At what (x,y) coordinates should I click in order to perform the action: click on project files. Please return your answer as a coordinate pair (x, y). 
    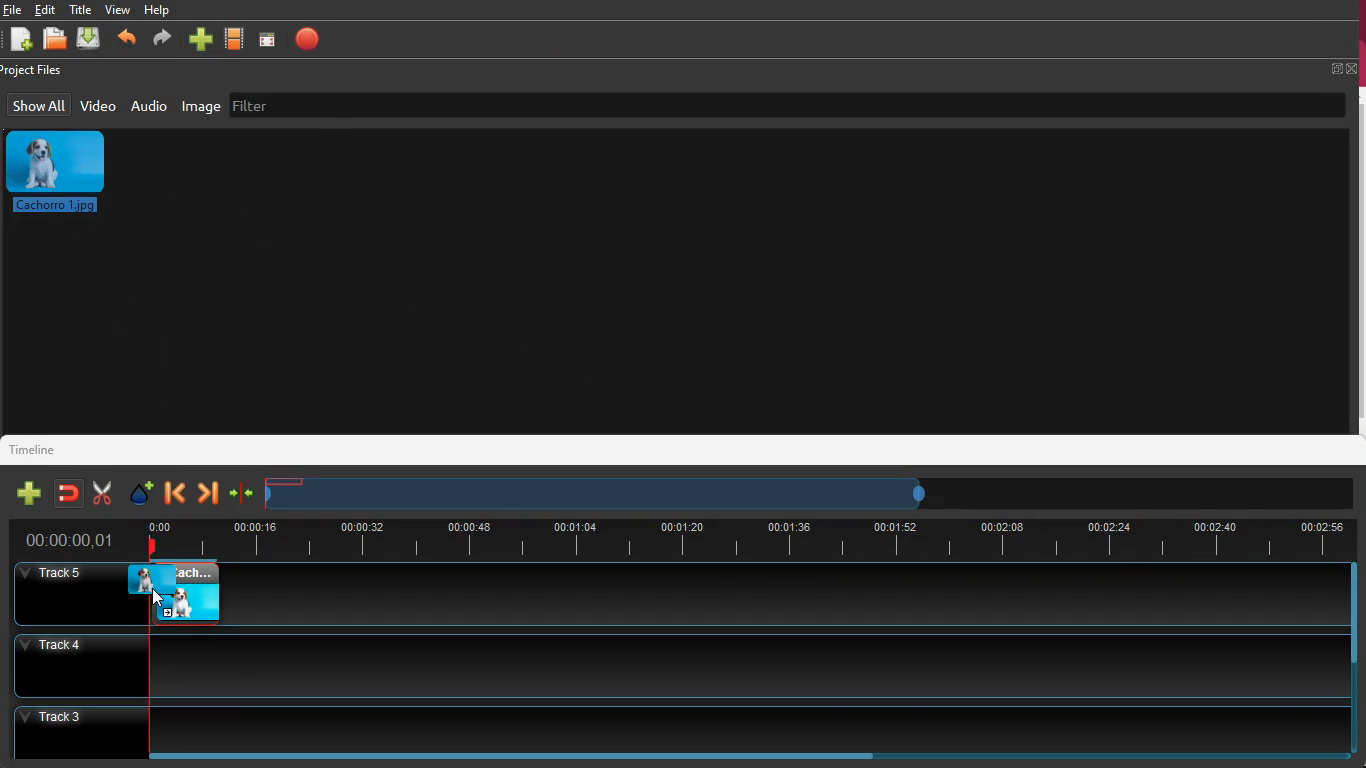
    Looking at the image, I should click on (40, 70).